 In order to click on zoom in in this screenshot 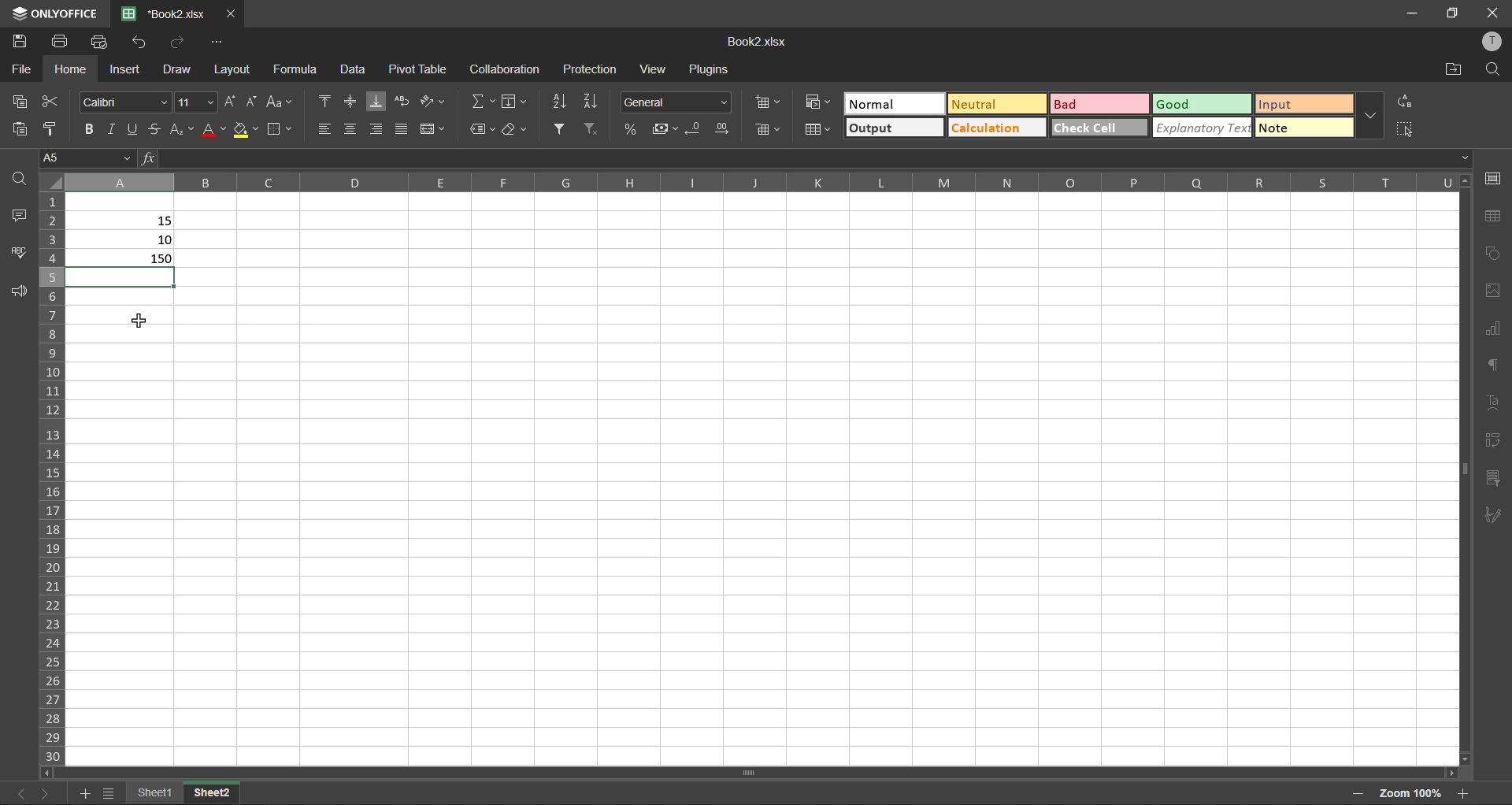, I will do `click(1463, 793)`.